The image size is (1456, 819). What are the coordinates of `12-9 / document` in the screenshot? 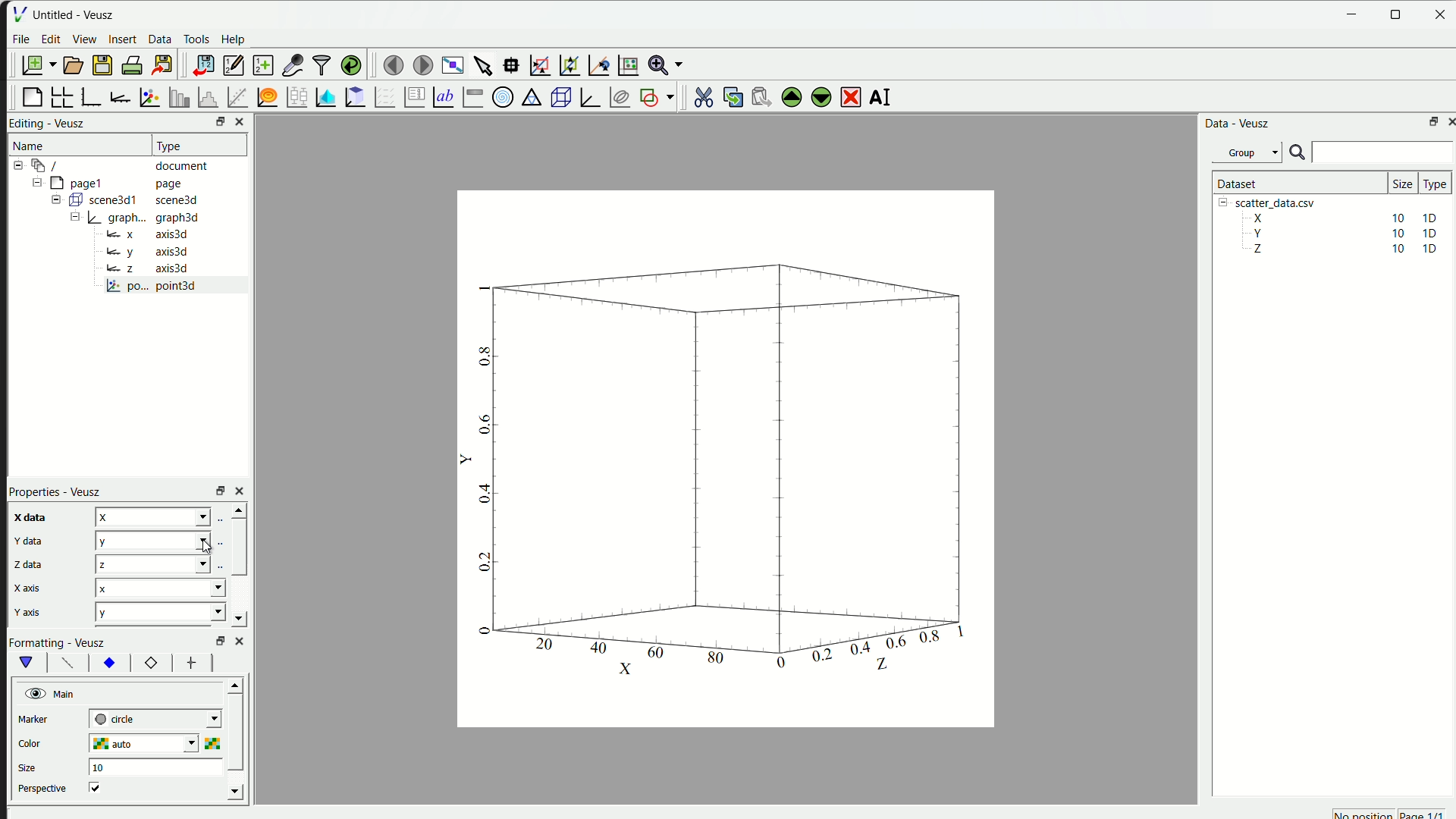 It's located at (109, 165).